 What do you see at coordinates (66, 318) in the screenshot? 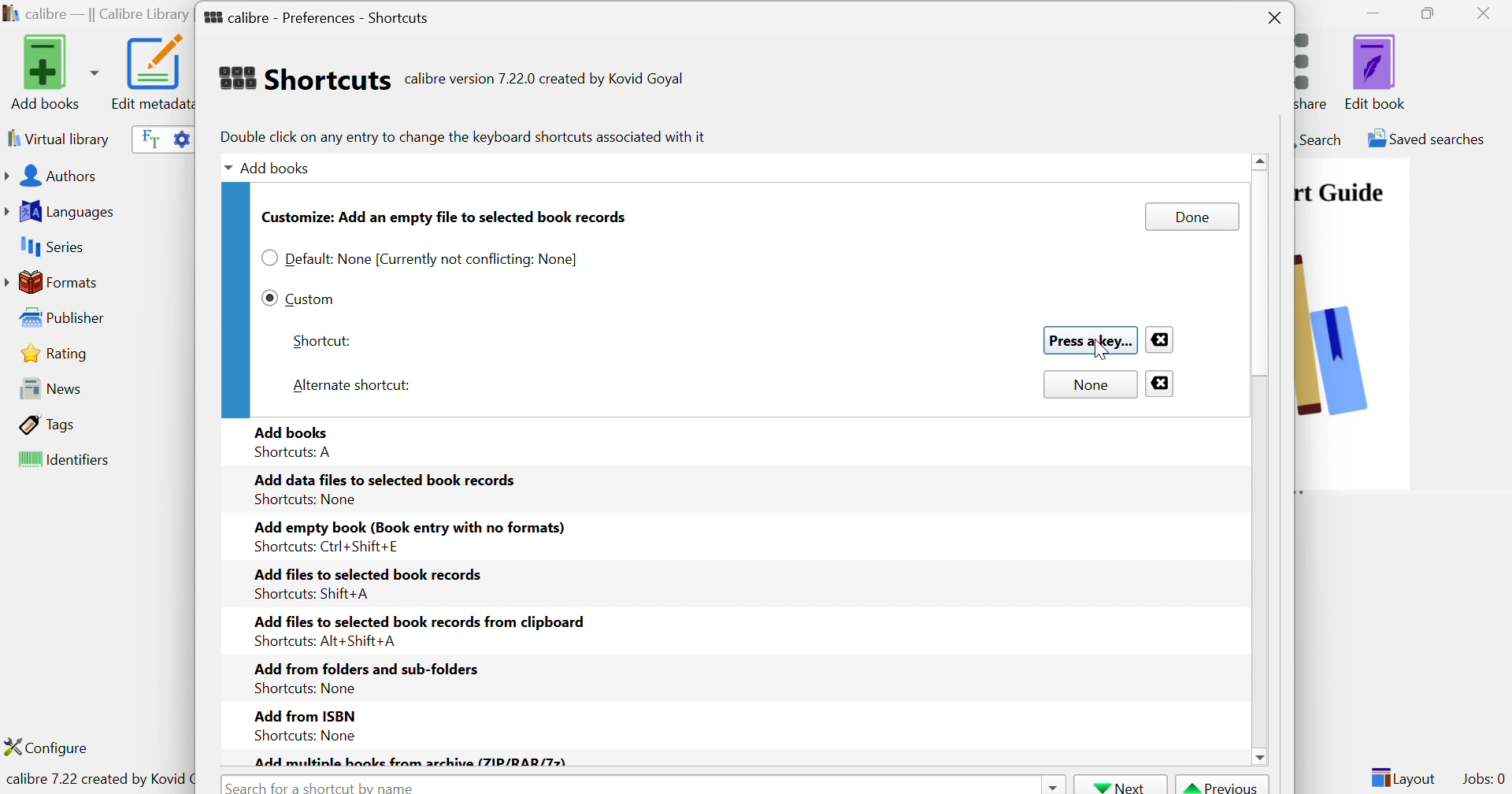
I see `Publisher` at bounding box center [66, 318].